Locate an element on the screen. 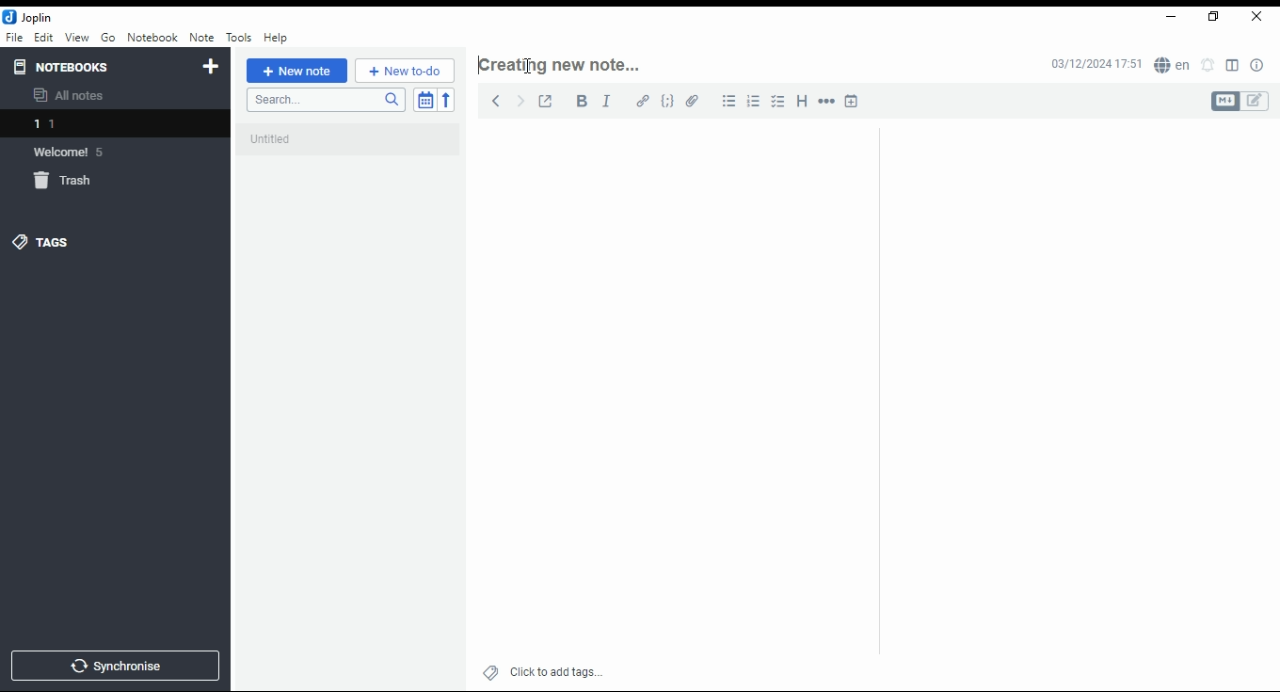  help is located at coordinates (276, 38).